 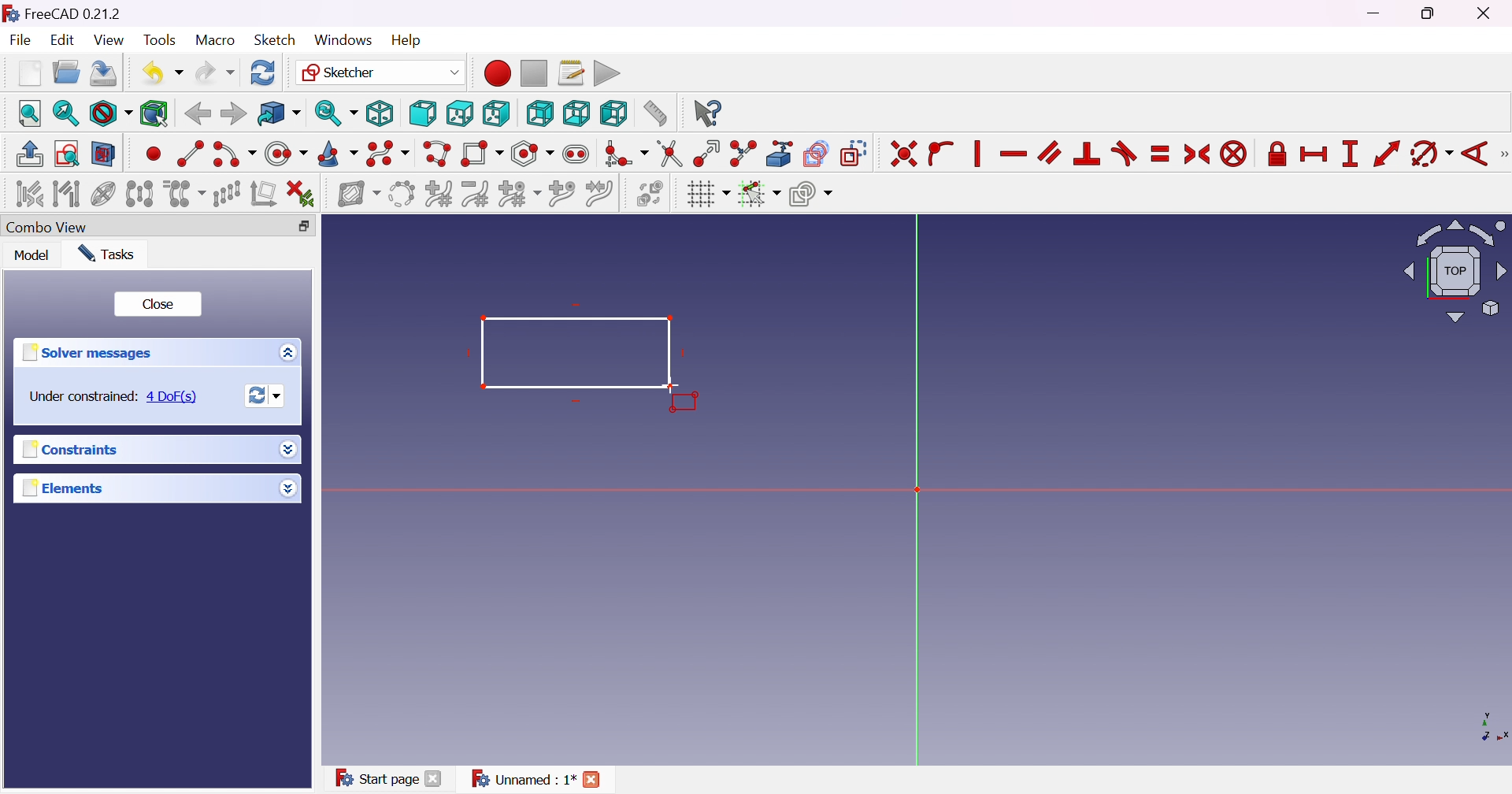 What do you see at coordinates (287, 488) in the screenshot?
I see `More options` at bounding box center [287, 488].